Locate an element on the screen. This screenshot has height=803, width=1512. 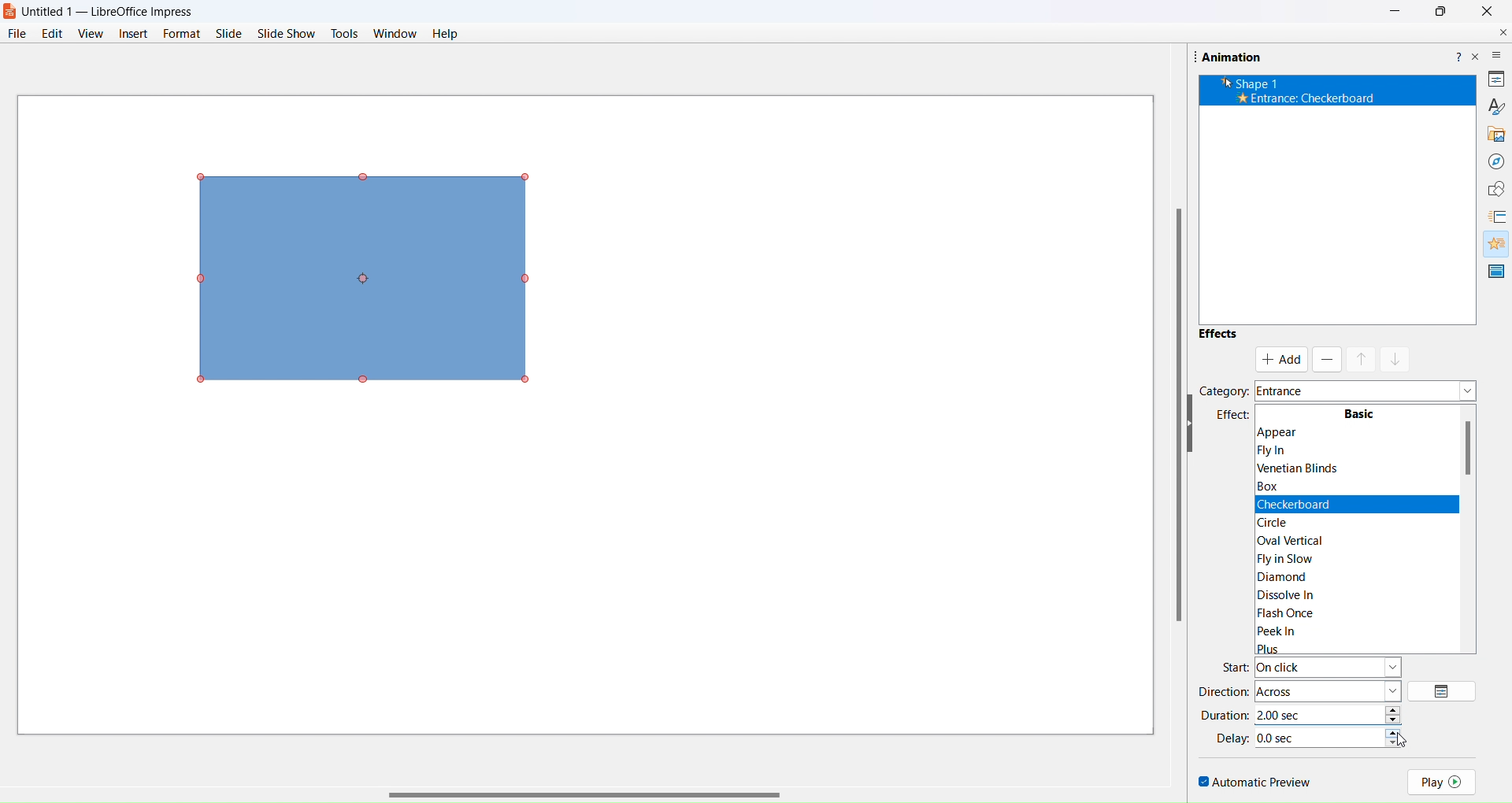
animation is located at coordinates (1493, 243).